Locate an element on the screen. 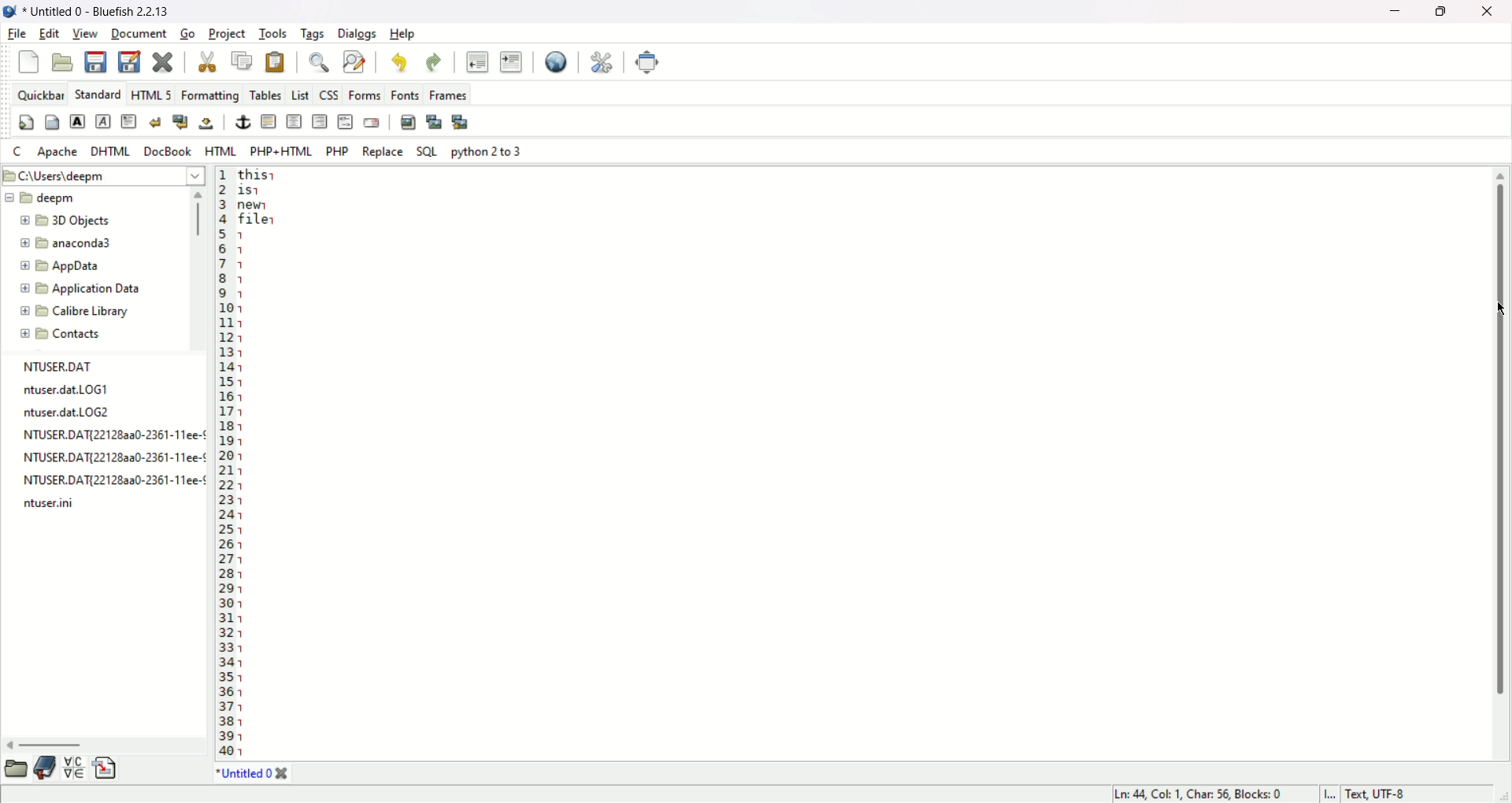  Apache is located at coordinates (57, 152).